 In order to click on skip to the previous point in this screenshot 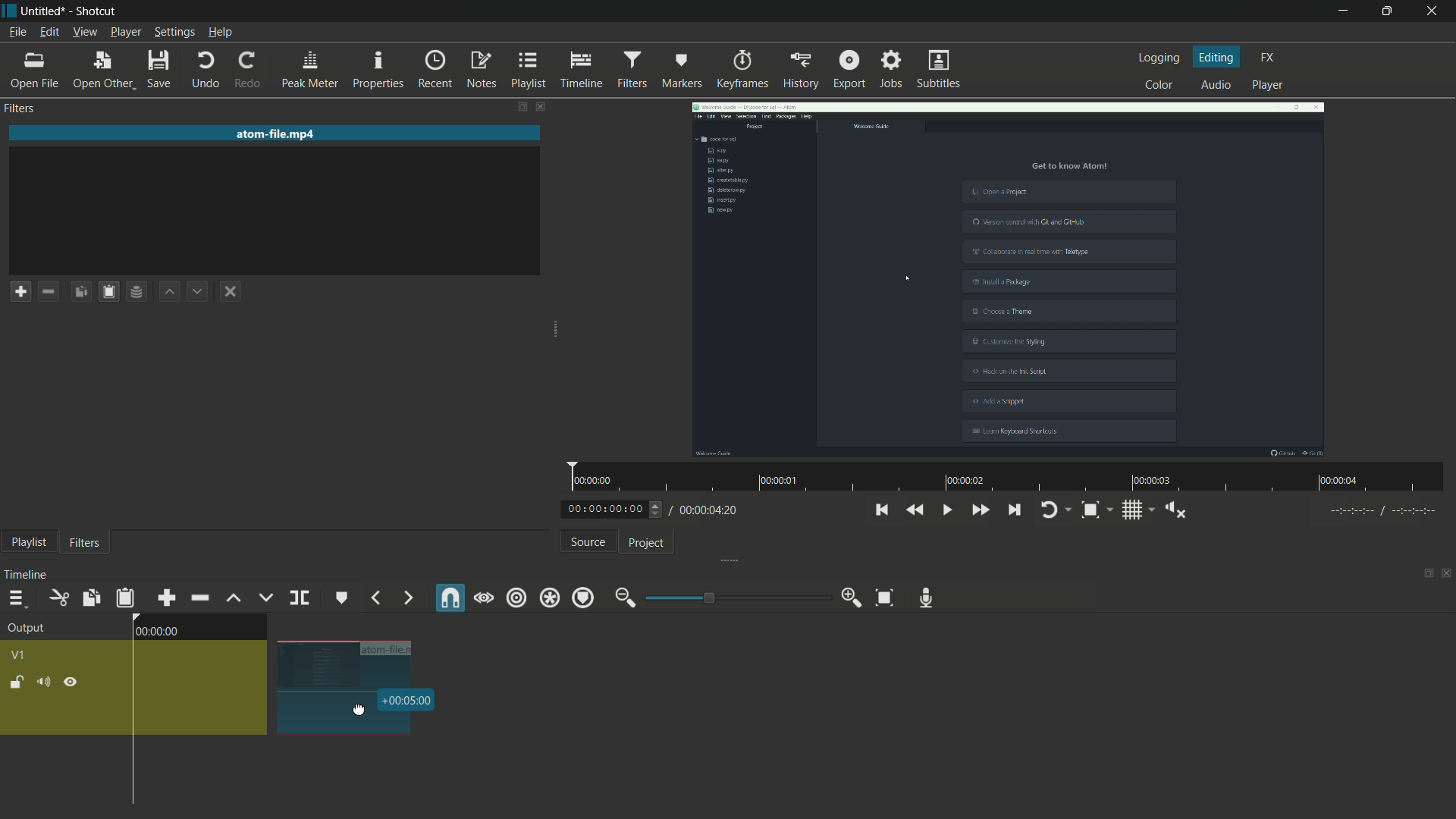, I will do `click(881, 510)`.